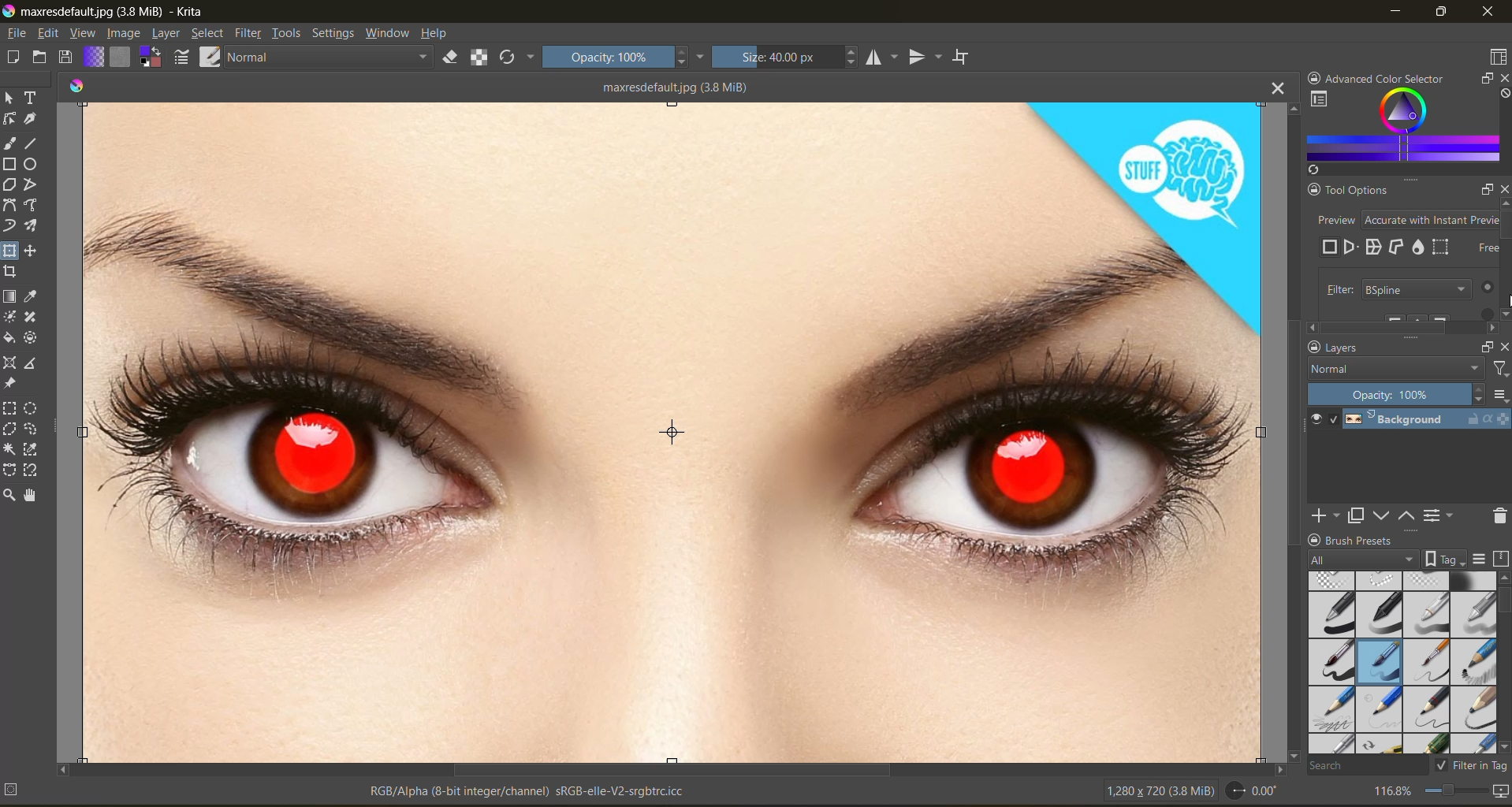 This screenshot has height=807, width=1512. Describe the element at coordinates (14, 58) in the screenshot. I see `create` at that location.